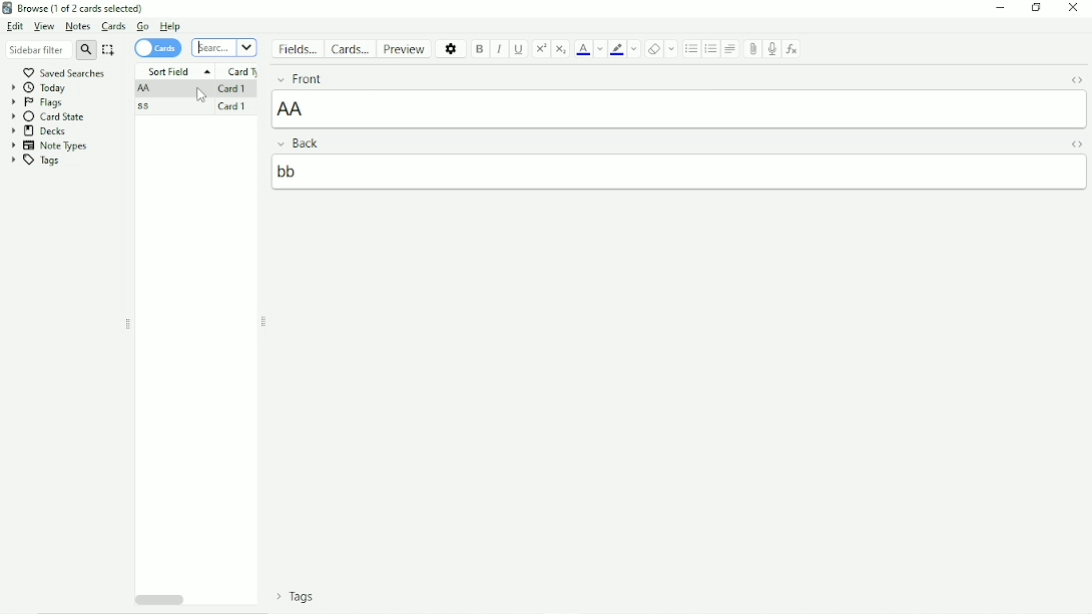 The height and width of the screenshot is (614, 1092). What do you see at coordinates (732, 48) in the screenshot?
I see `Alignment` at bounding box center [732, 48].